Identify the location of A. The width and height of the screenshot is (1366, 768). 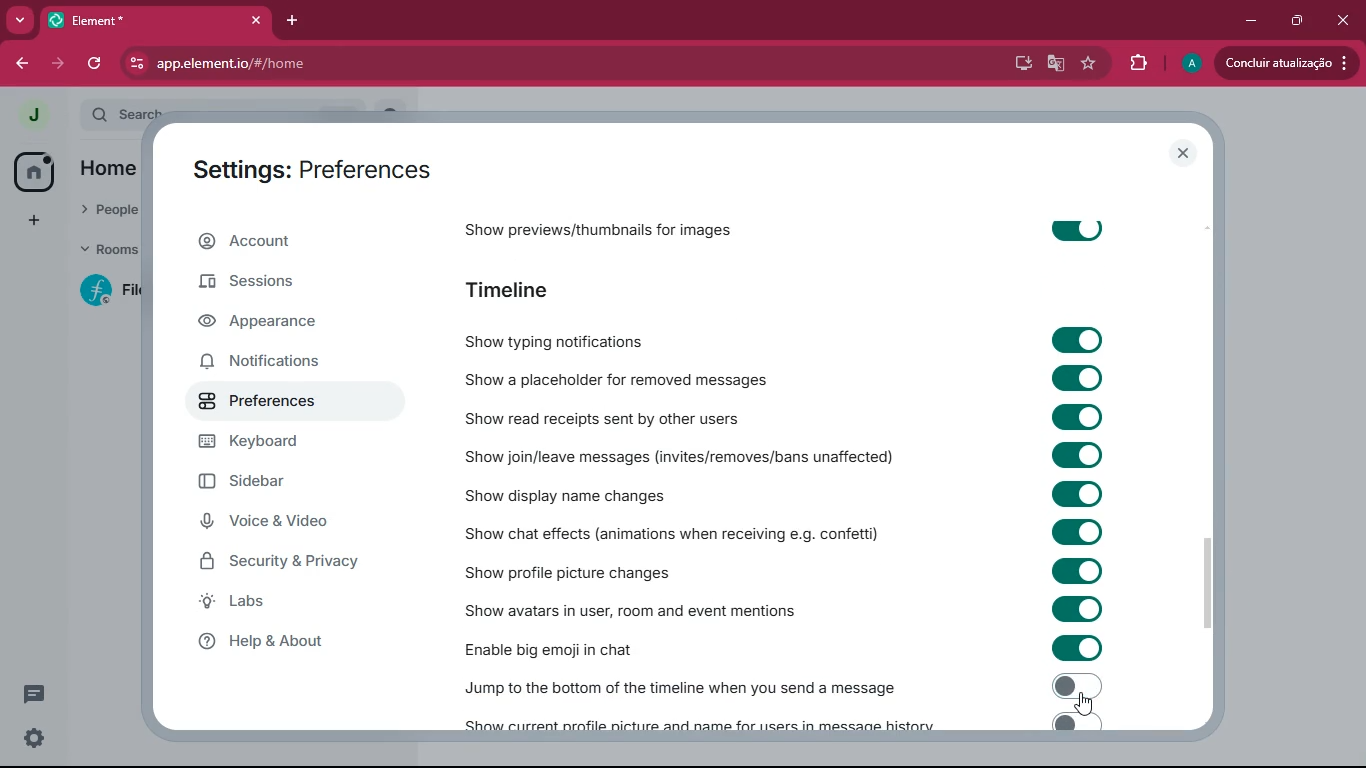
(1189, 61).